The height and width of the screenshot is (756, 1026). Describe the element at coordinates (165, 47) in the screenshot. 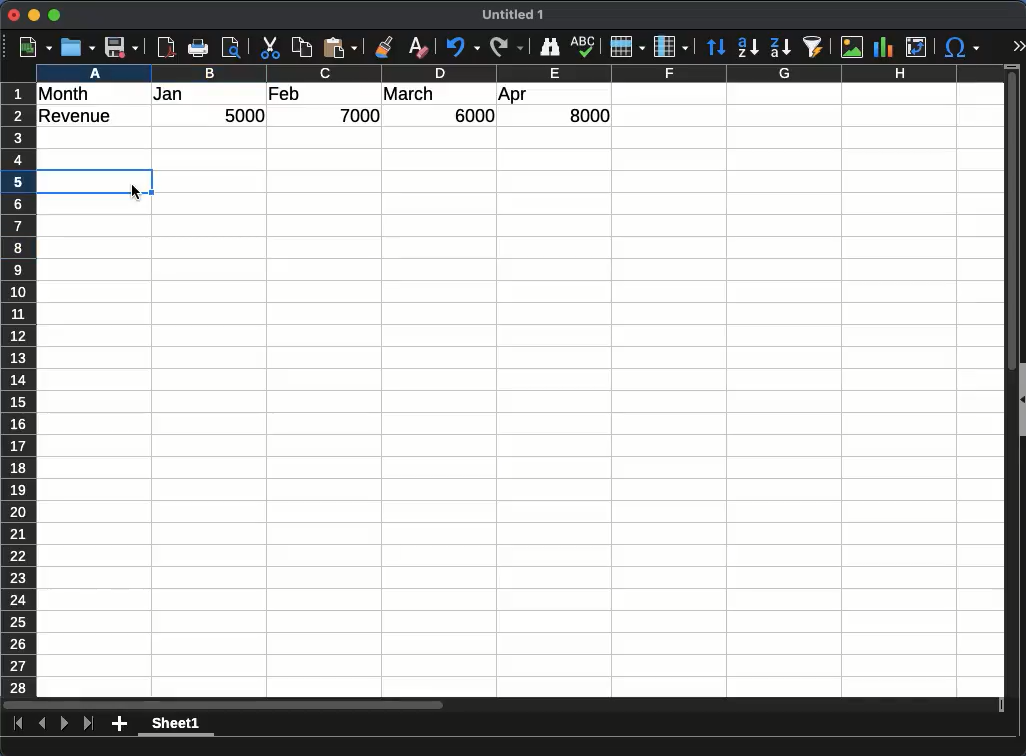

I see `pdf preview` at that location.